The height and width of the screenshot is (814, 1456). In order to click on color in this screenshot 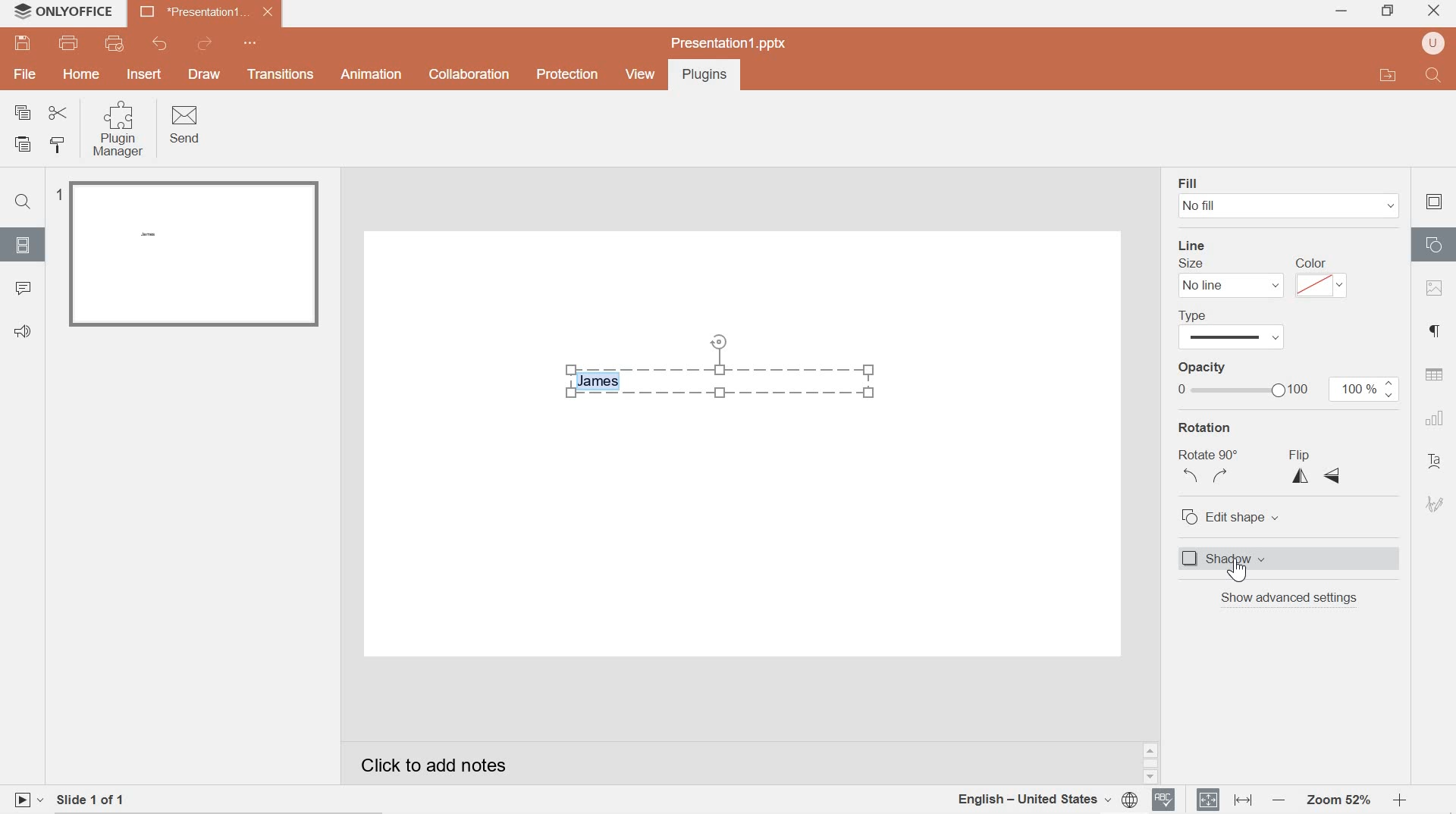, I will do `click(1322, 277)`.